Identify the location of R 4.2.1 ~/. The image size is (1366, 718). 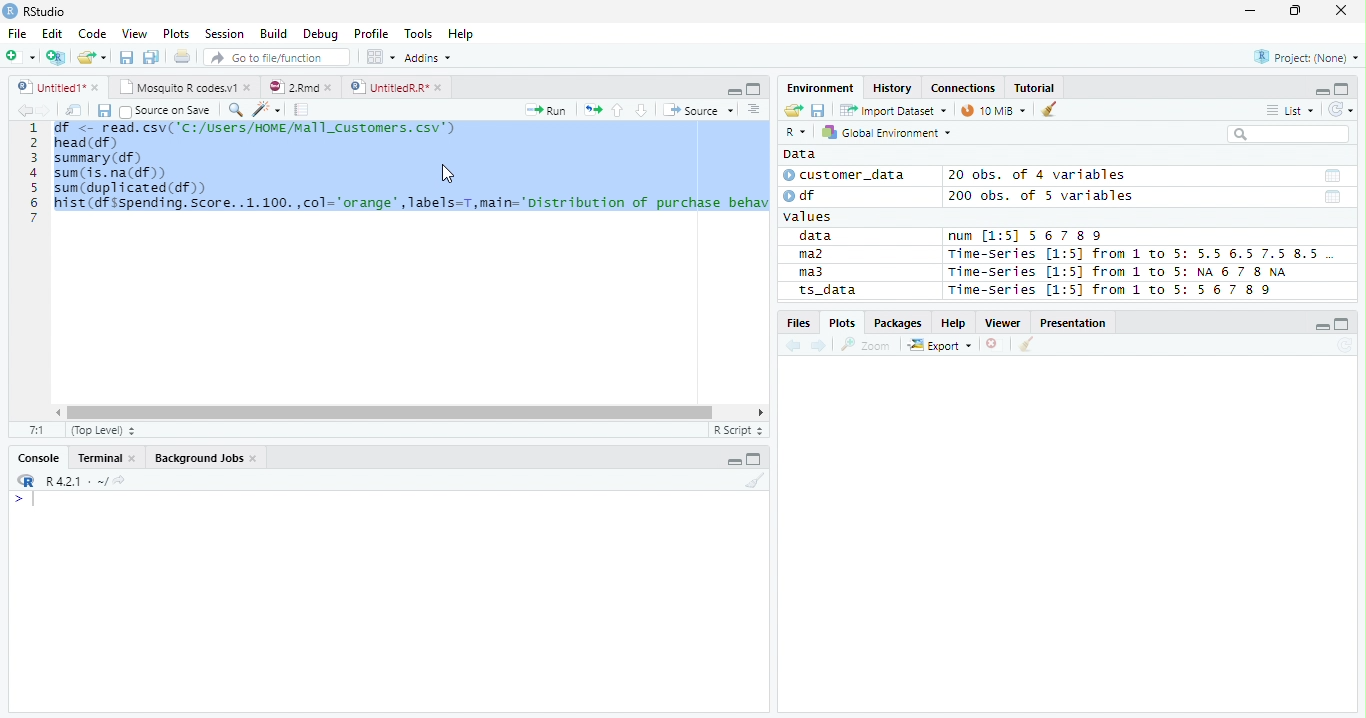
(75, 480).